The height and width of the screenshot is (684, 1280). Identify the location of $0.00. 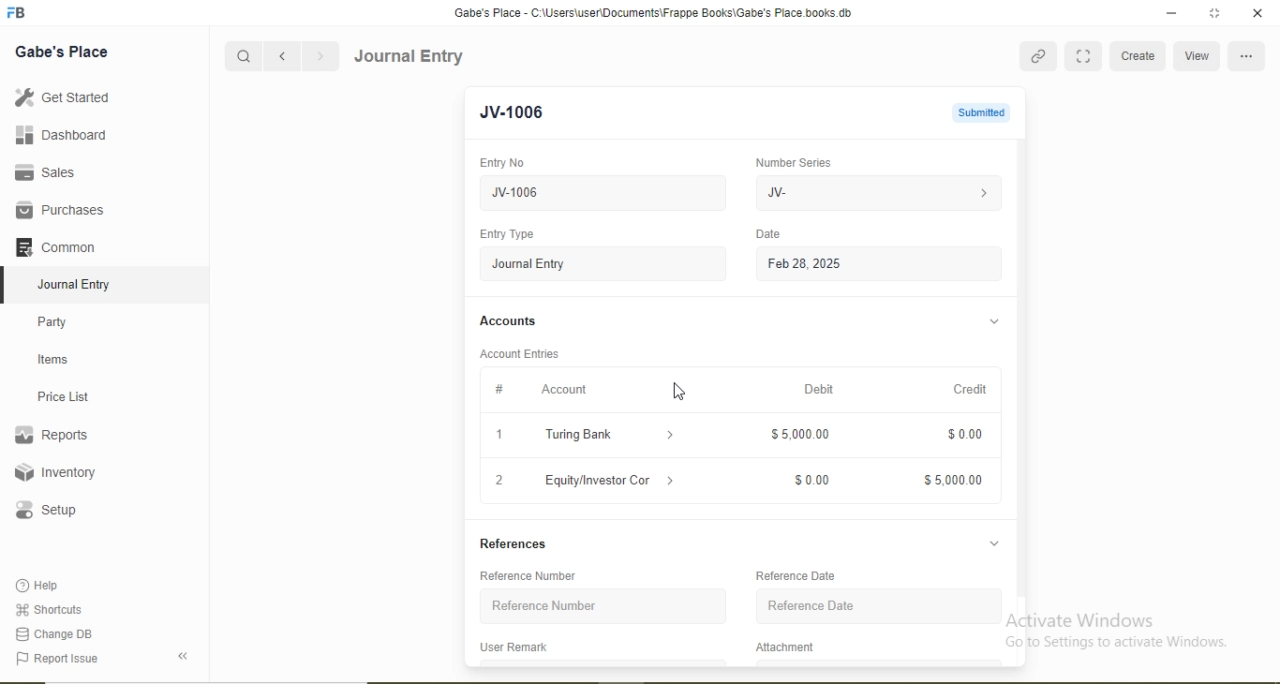
(965, 435).